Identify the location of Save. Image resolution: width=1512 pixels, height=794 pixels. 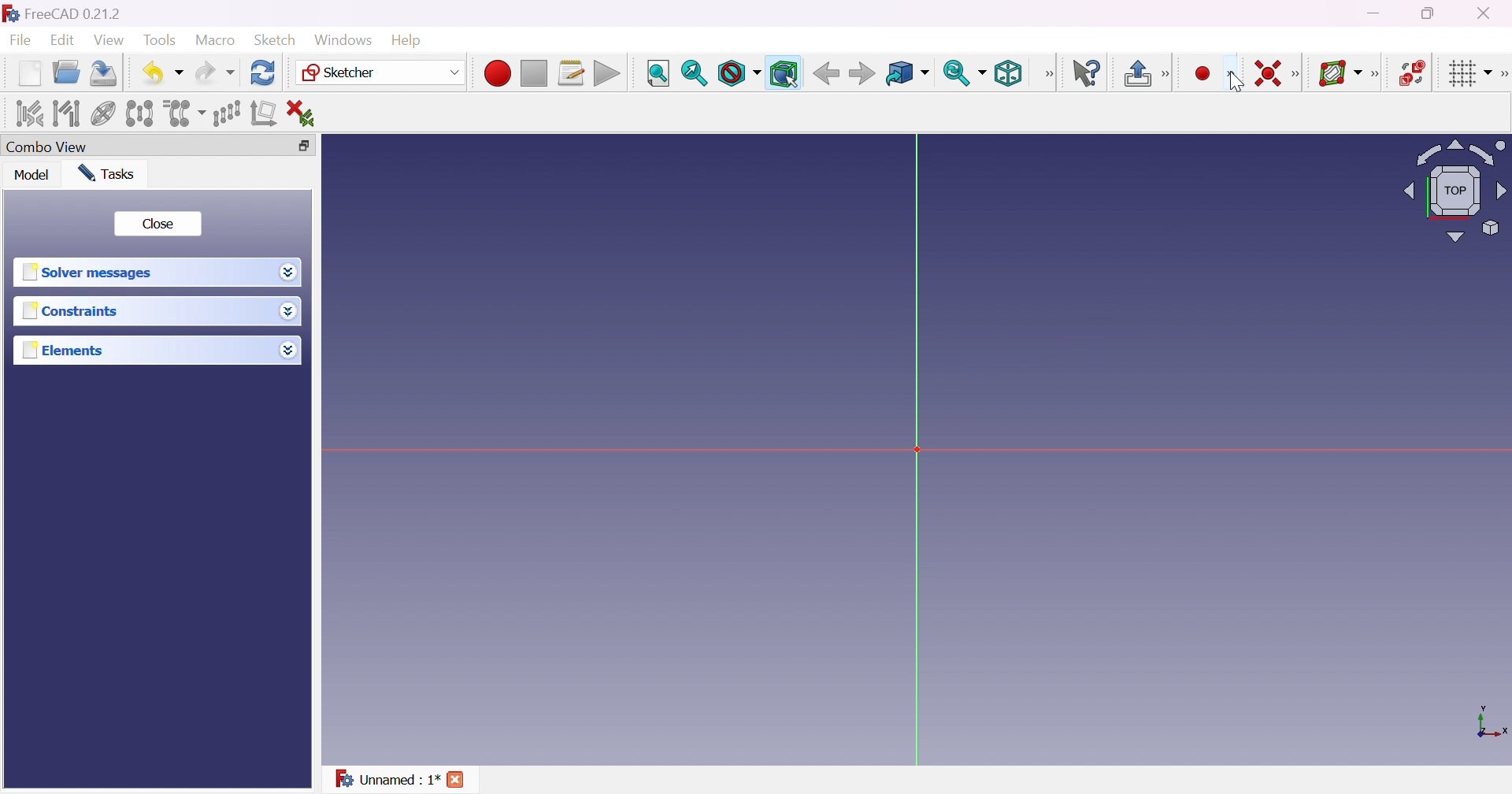
(102, 72).